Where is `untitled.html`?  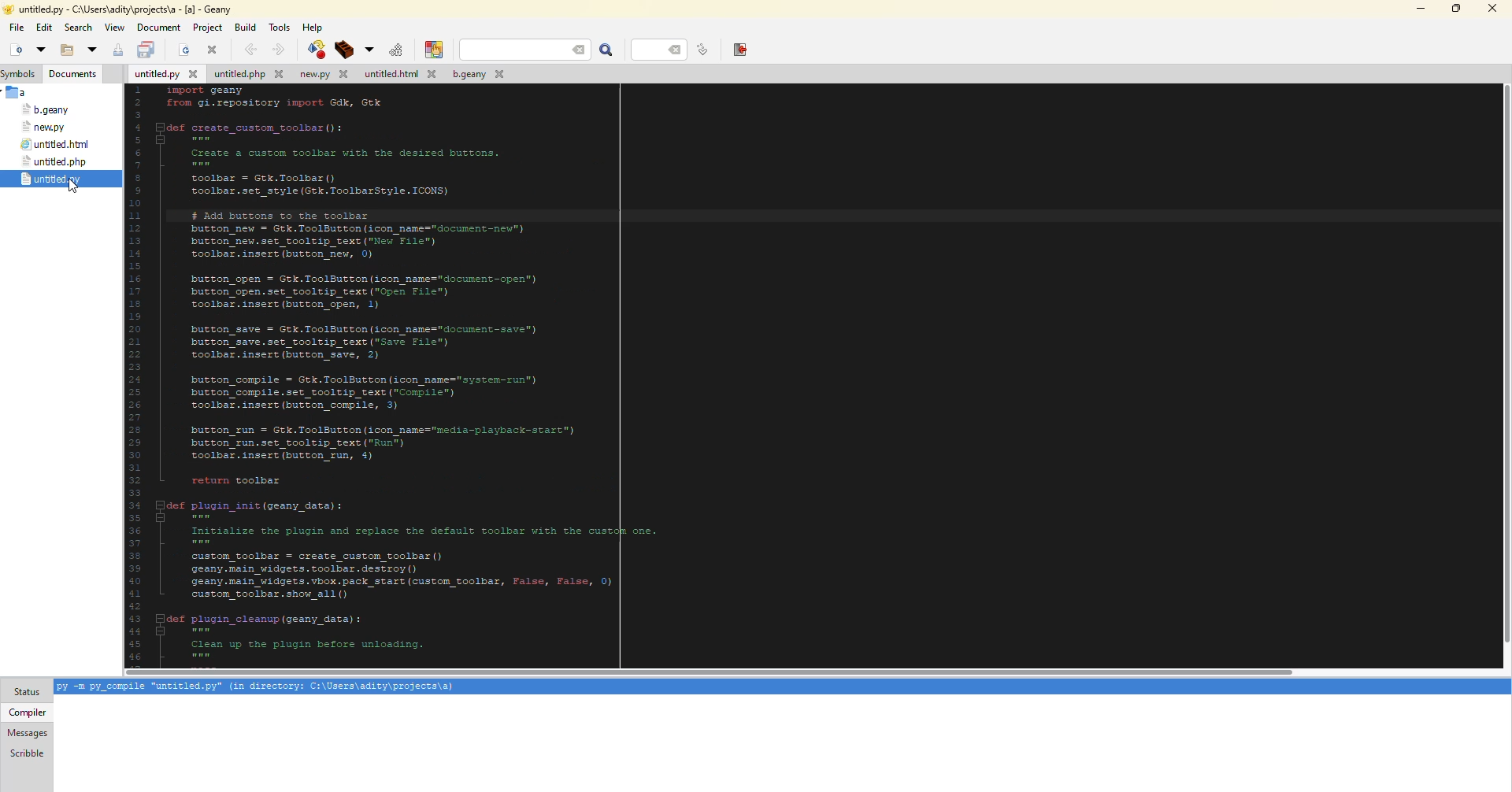
untitled.html is located at coordinates (402, 74).